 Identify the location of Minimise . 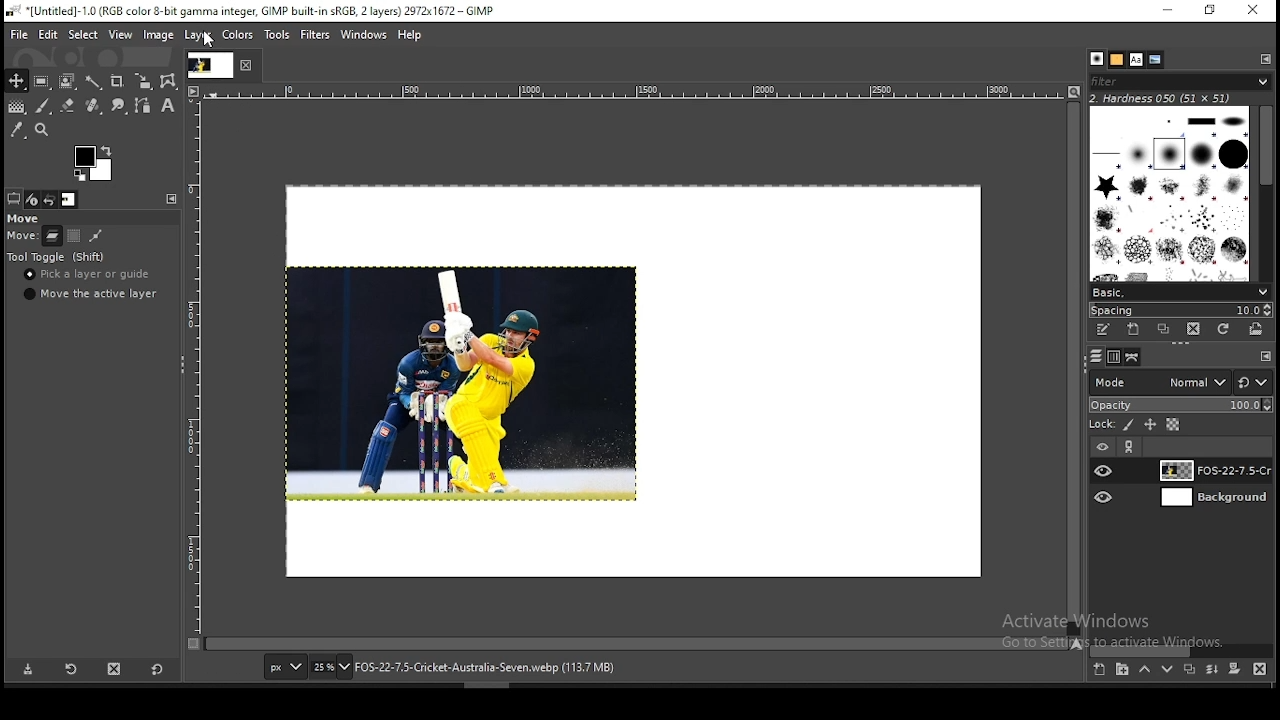
(1167, 10).